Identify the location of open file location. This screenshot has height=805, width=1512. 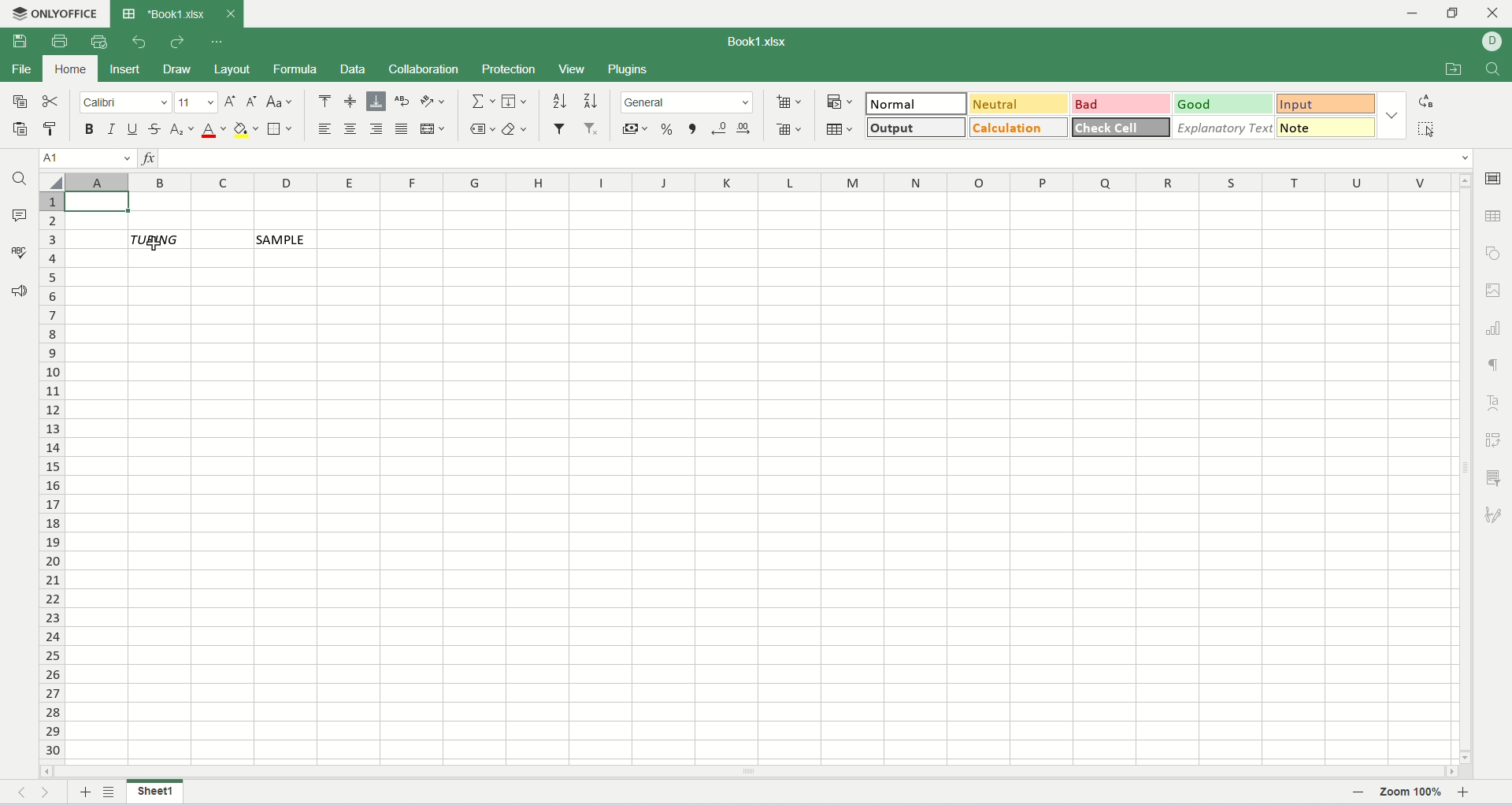
(1451, 69).